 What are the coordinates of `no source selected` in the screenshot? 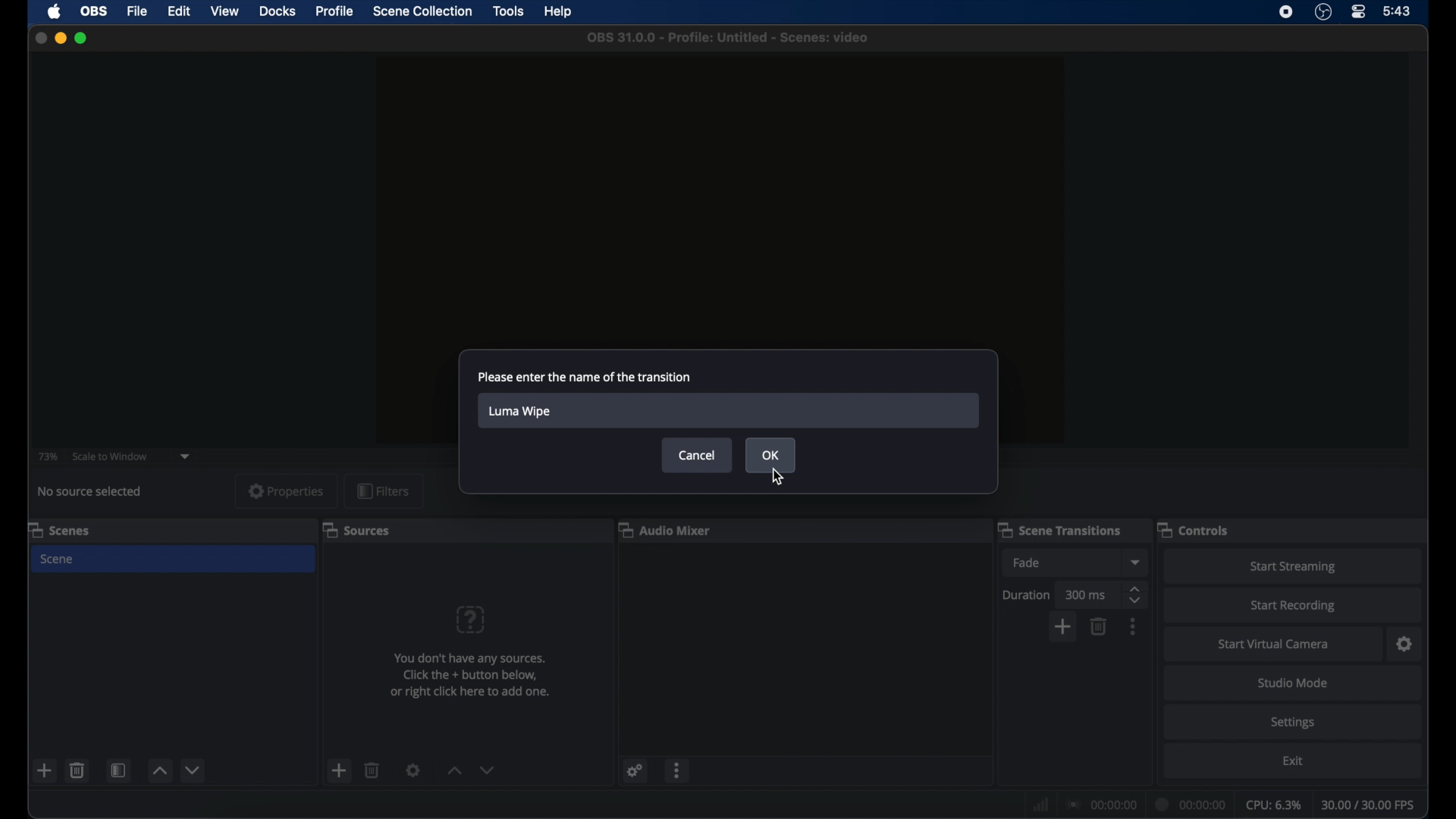 It's located at (89, 491).